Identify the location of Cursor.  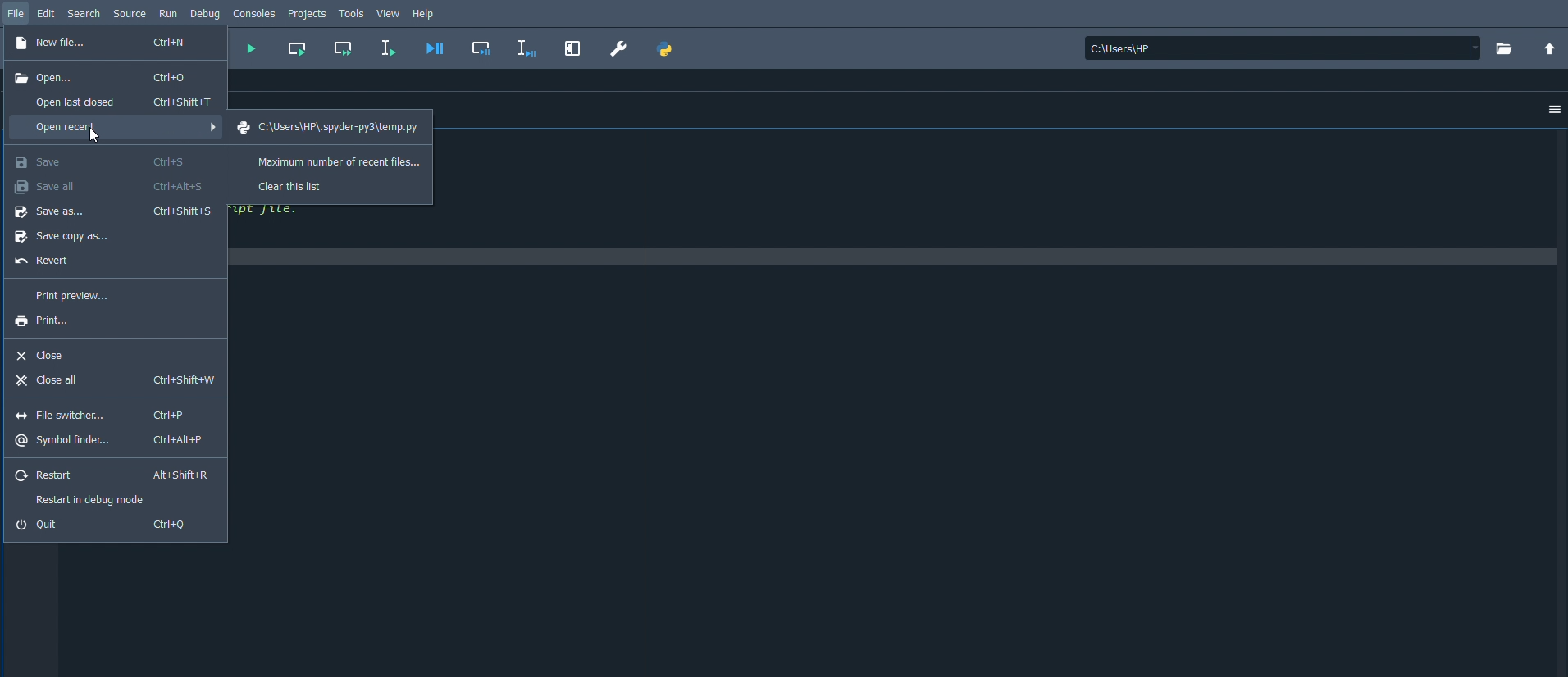
(97, 135).